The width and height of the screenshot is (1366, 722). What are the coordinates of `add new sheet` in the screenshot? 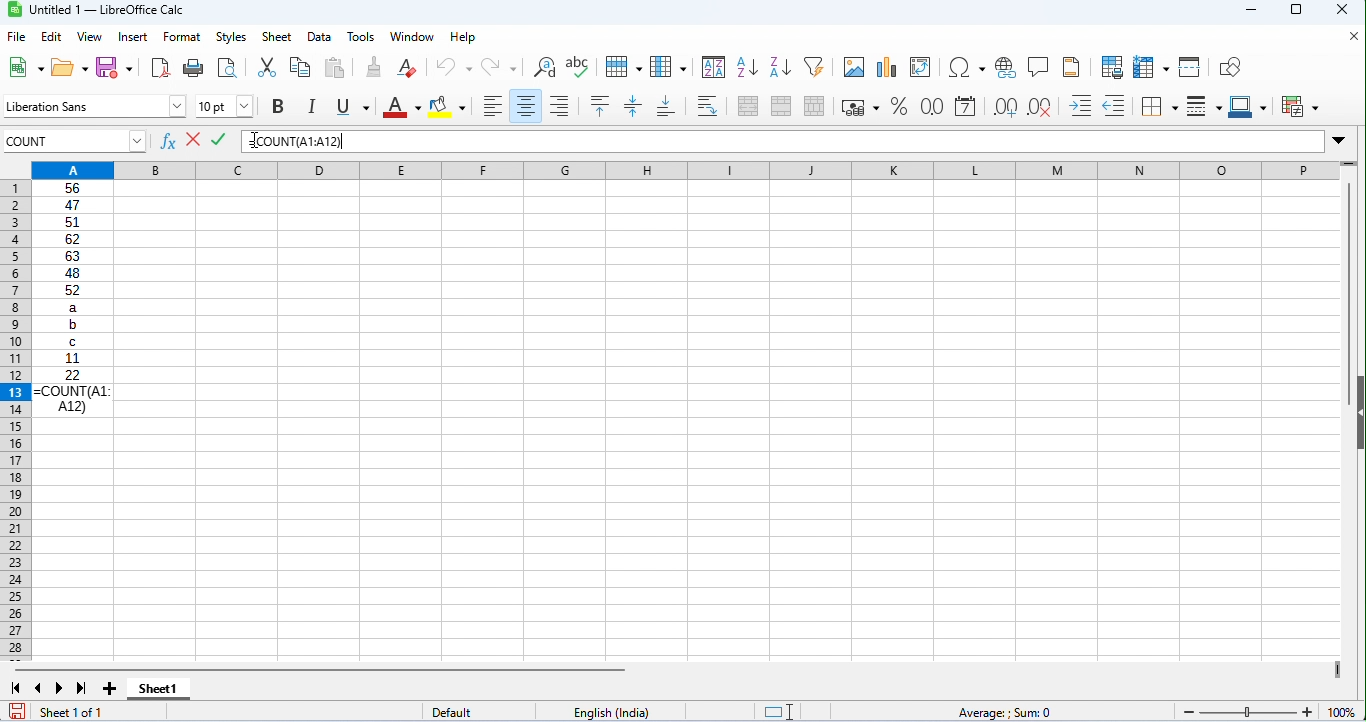 It's located at (109, 690).